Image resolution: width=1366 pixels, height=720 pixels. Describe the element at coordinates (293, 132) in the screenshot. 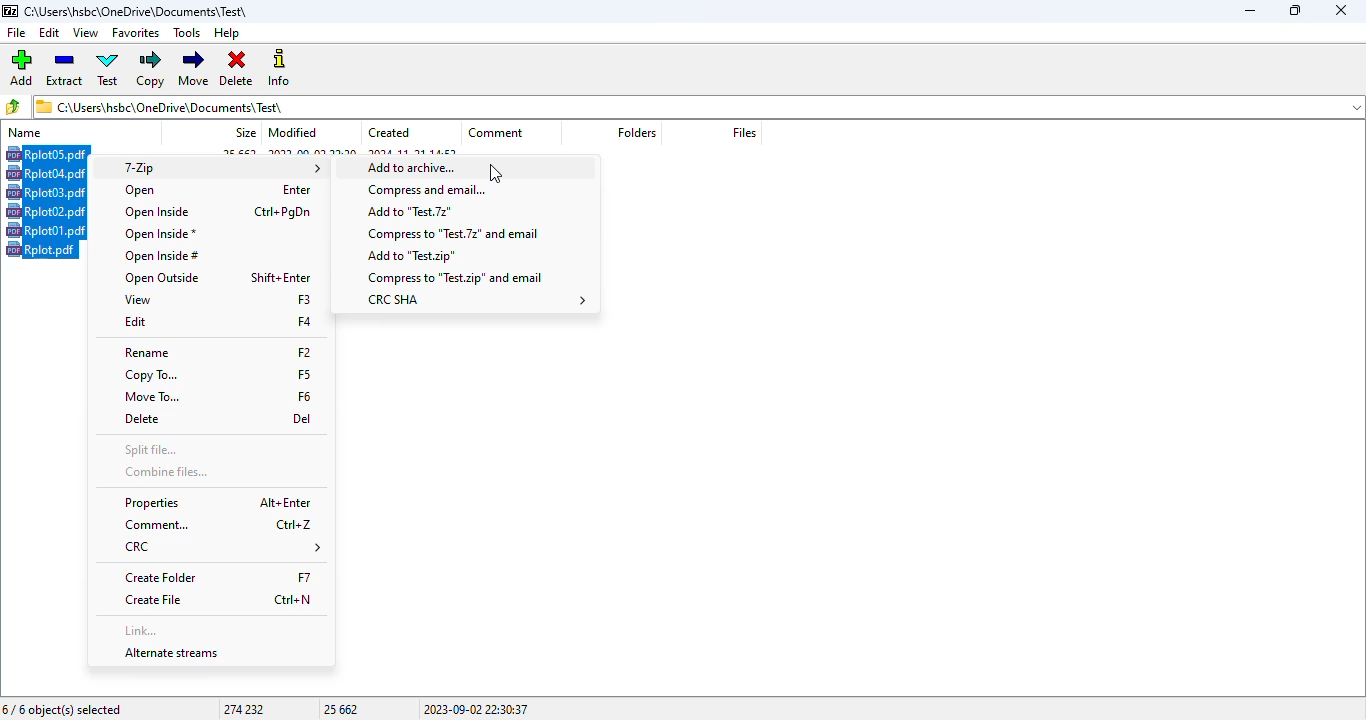

I see `modified` at that location.